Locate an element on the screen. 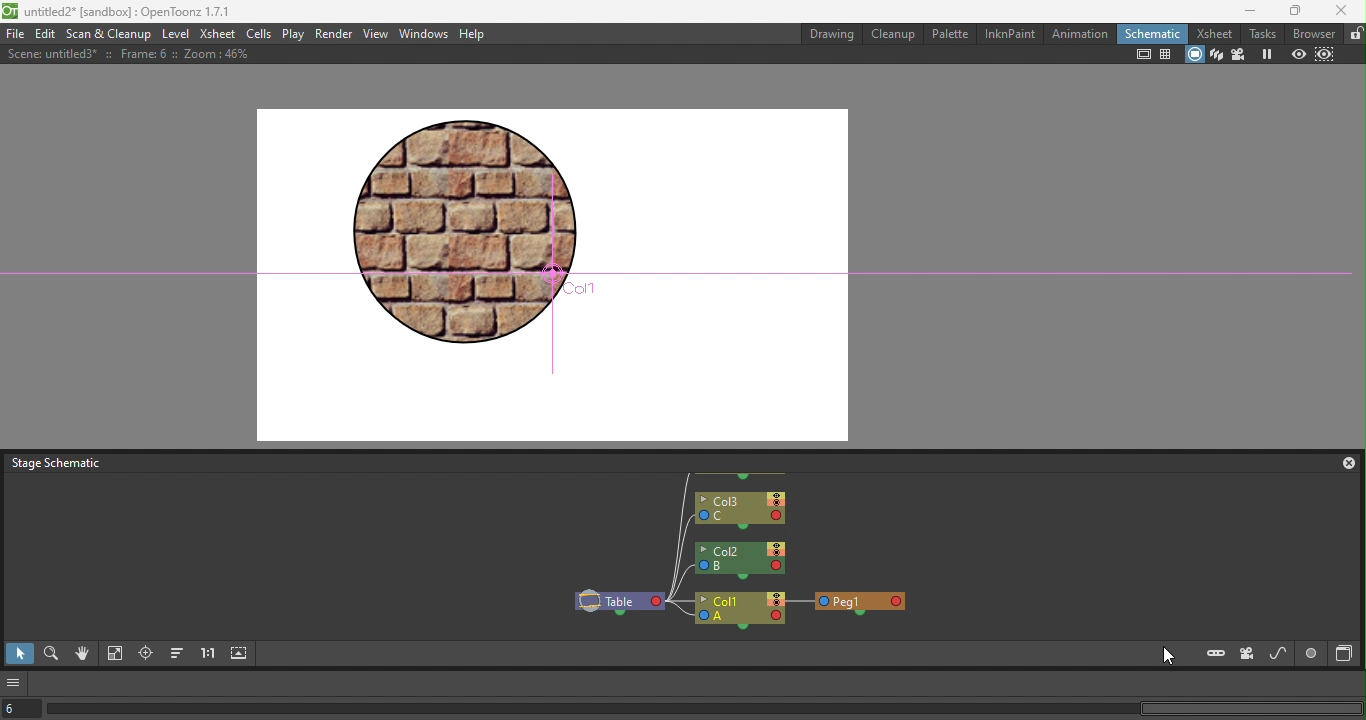  Edit is located at coordinates (45, 34).